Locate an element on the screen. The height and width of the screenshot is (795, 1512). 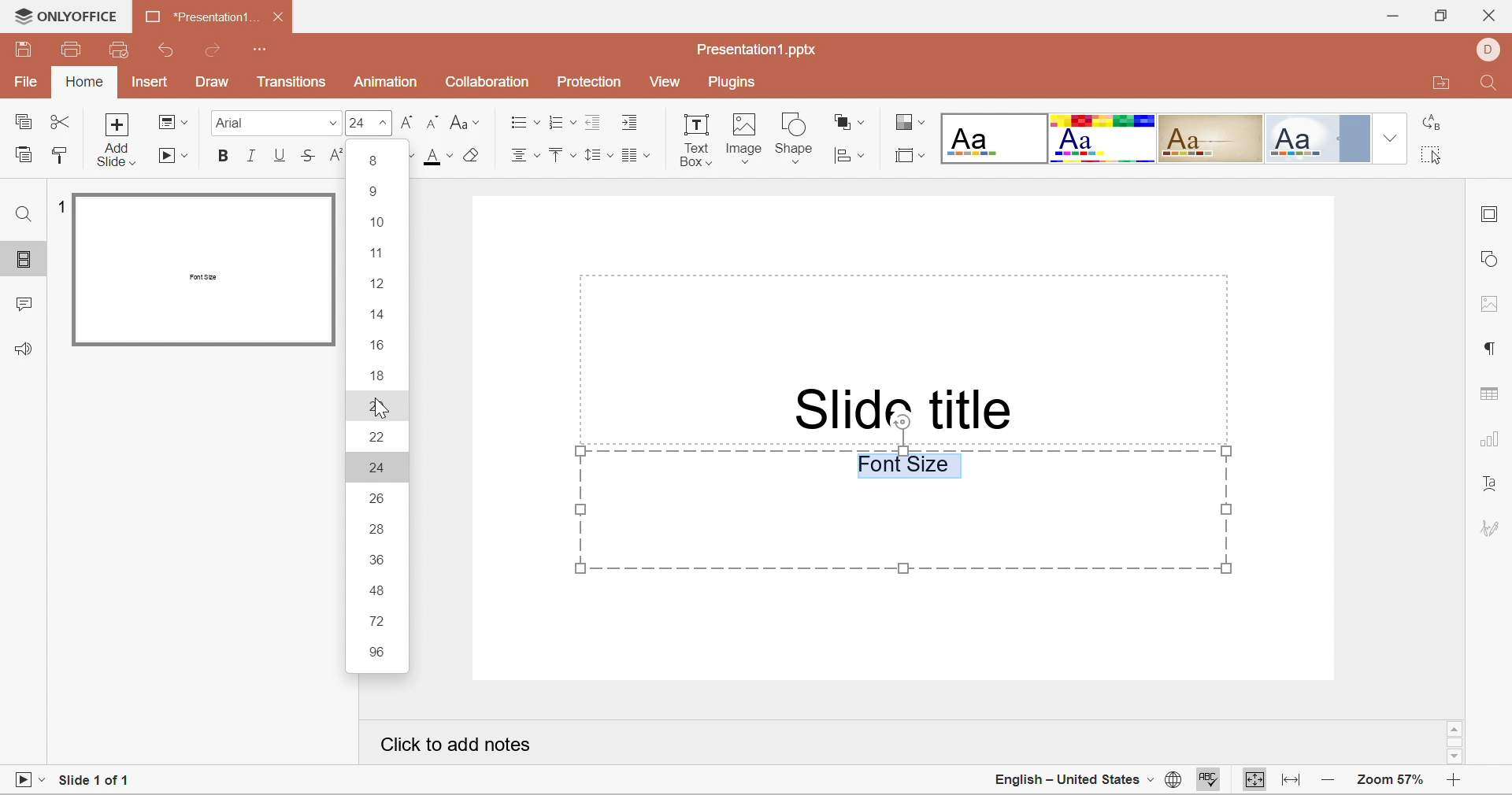
Change case is located at coordinates (465, 124).